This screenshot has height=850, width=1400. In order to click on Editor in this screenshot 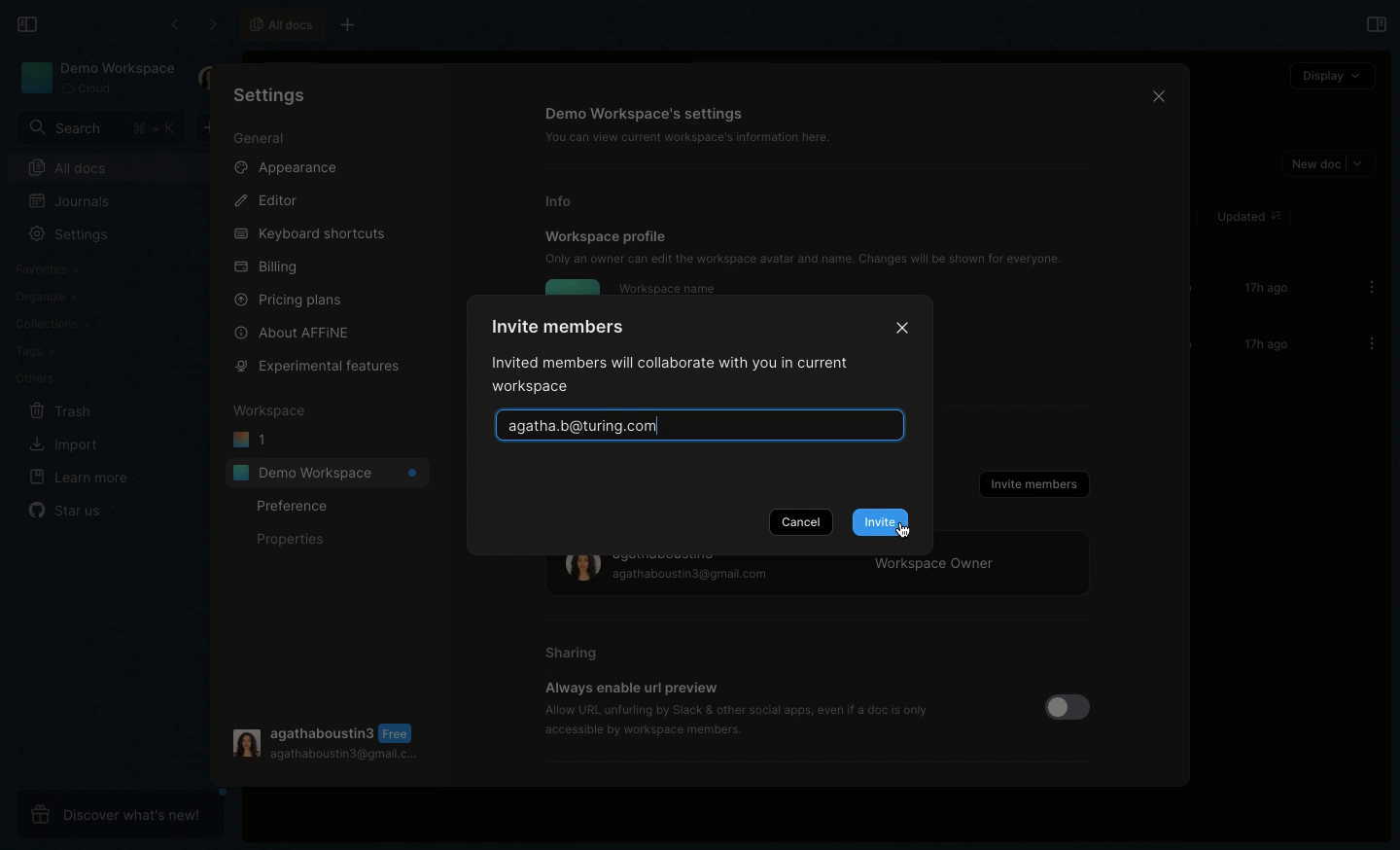, I will do `click(264, 199)`.